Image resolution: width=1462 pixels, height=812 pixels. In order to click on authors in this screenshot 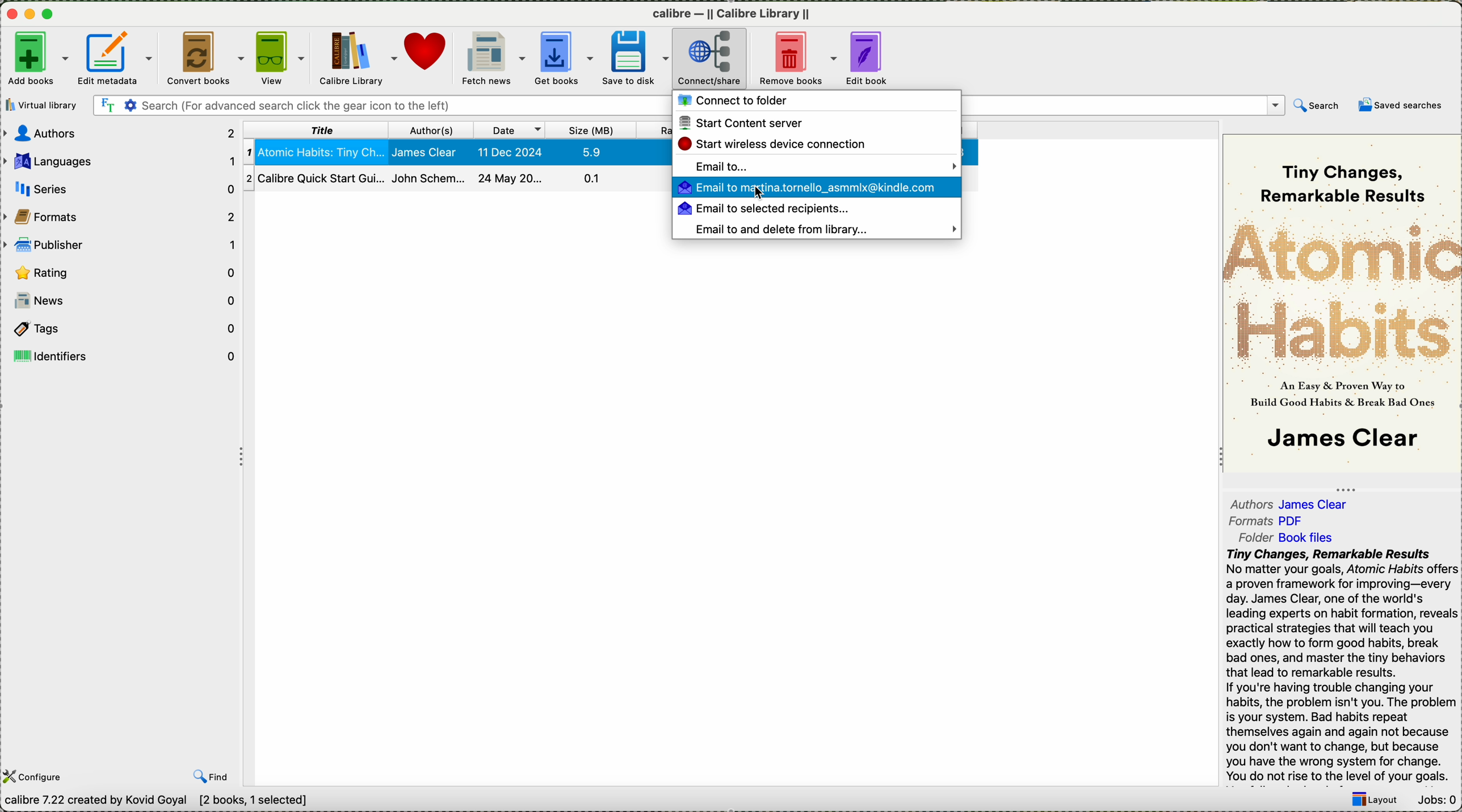, I will do `click(120, 133)`.